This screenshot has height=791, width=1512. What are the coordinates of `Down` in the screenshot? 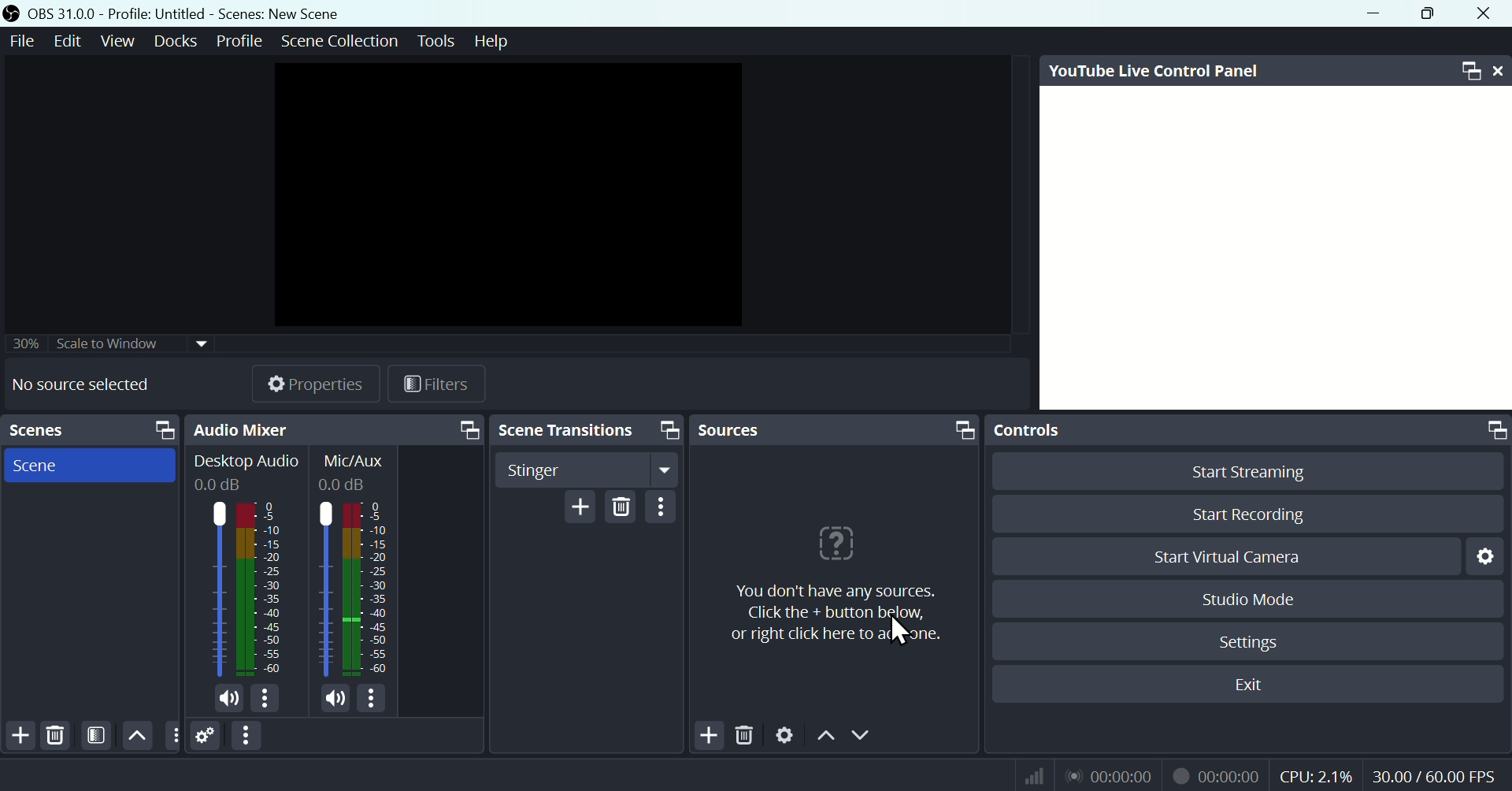 It's located at (864, 734).